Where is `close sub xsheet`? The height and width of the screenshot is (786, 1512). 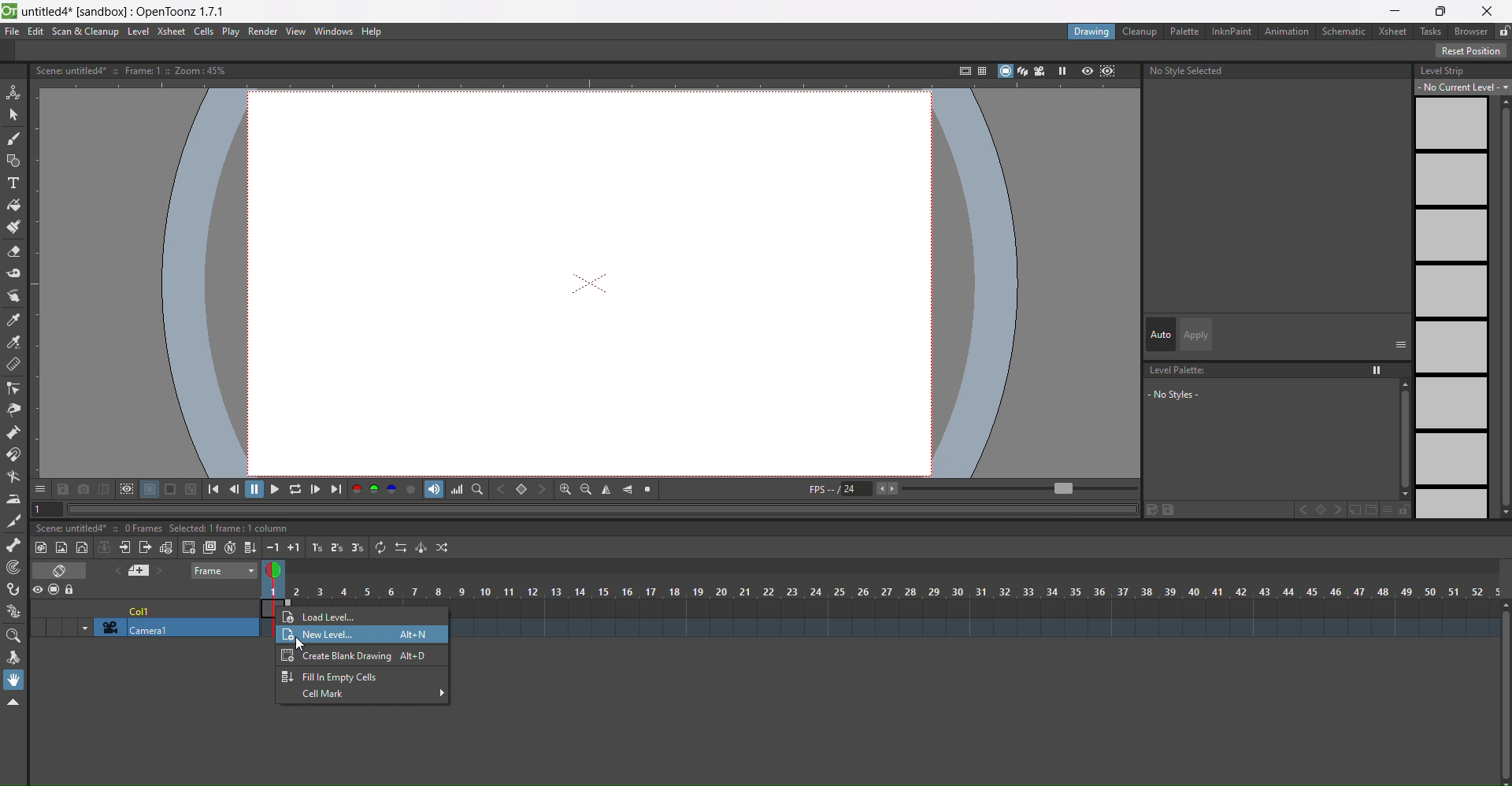 close sub xsheet is located at coordinates (145, 547).